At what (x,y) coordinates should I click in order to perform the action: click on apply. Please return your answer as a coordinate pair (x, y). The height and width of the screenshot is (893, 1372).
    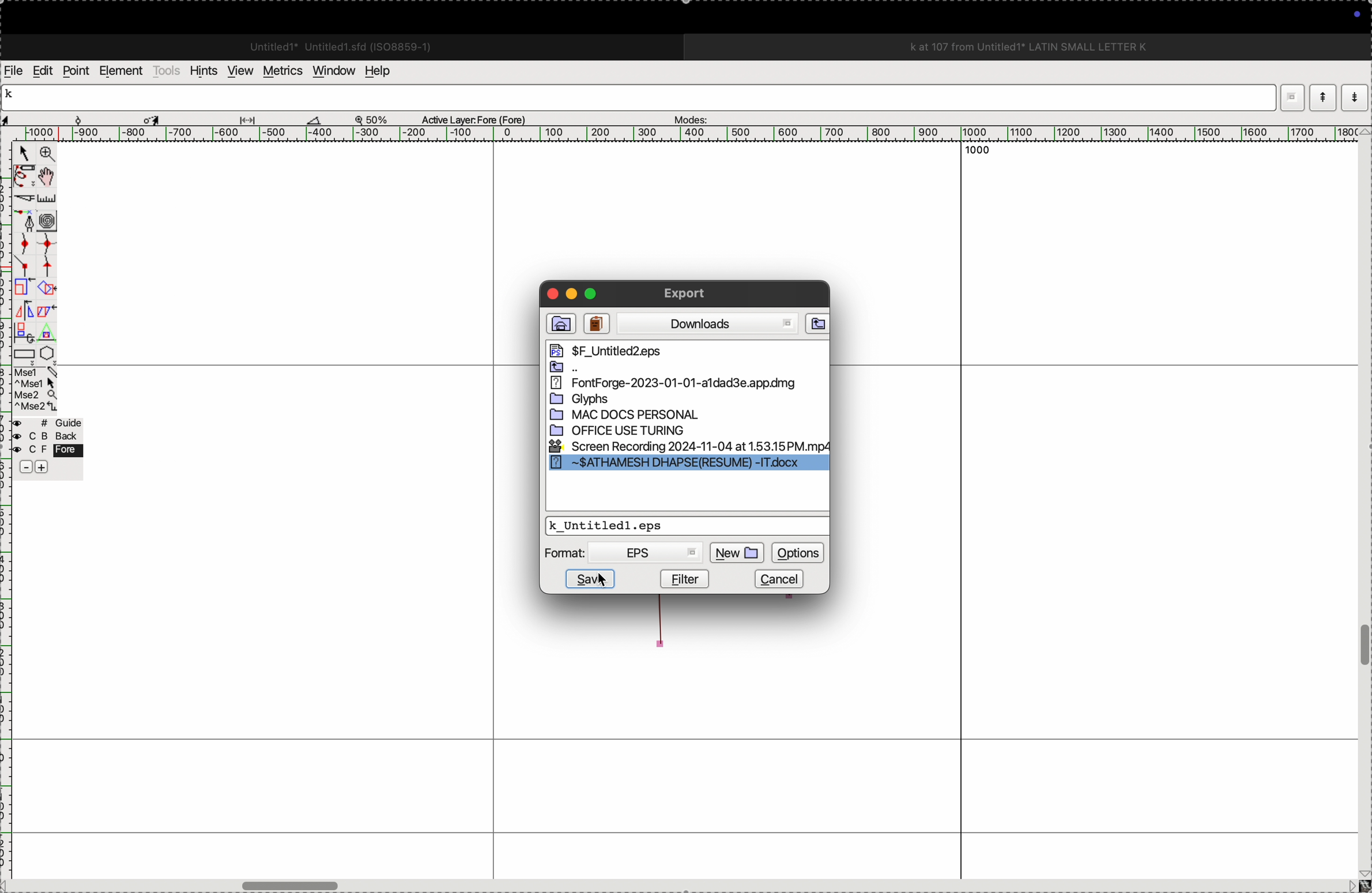
    Looking at the image, I should click on (47, 319).